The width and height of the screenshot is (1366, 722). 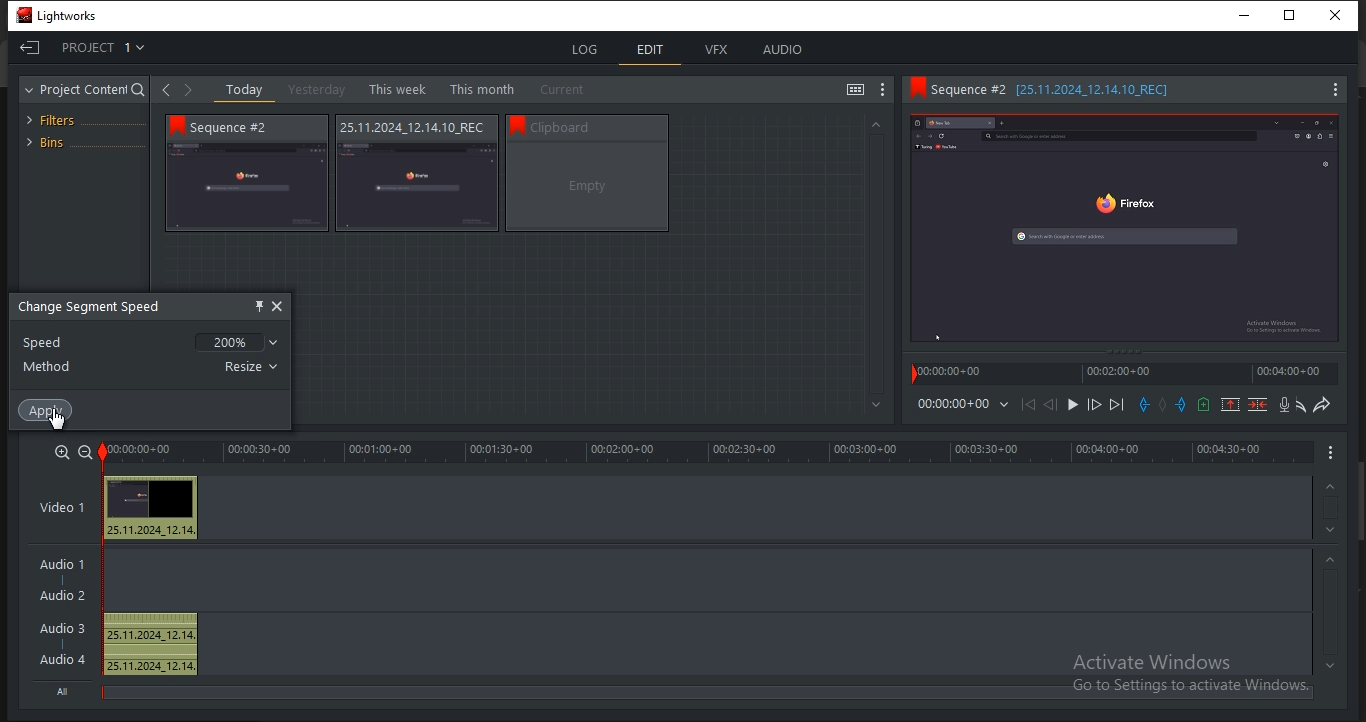 What do you see at coordinates (225, 340) in the screenshot?
I see `200%` at bounding box center [225, 340].